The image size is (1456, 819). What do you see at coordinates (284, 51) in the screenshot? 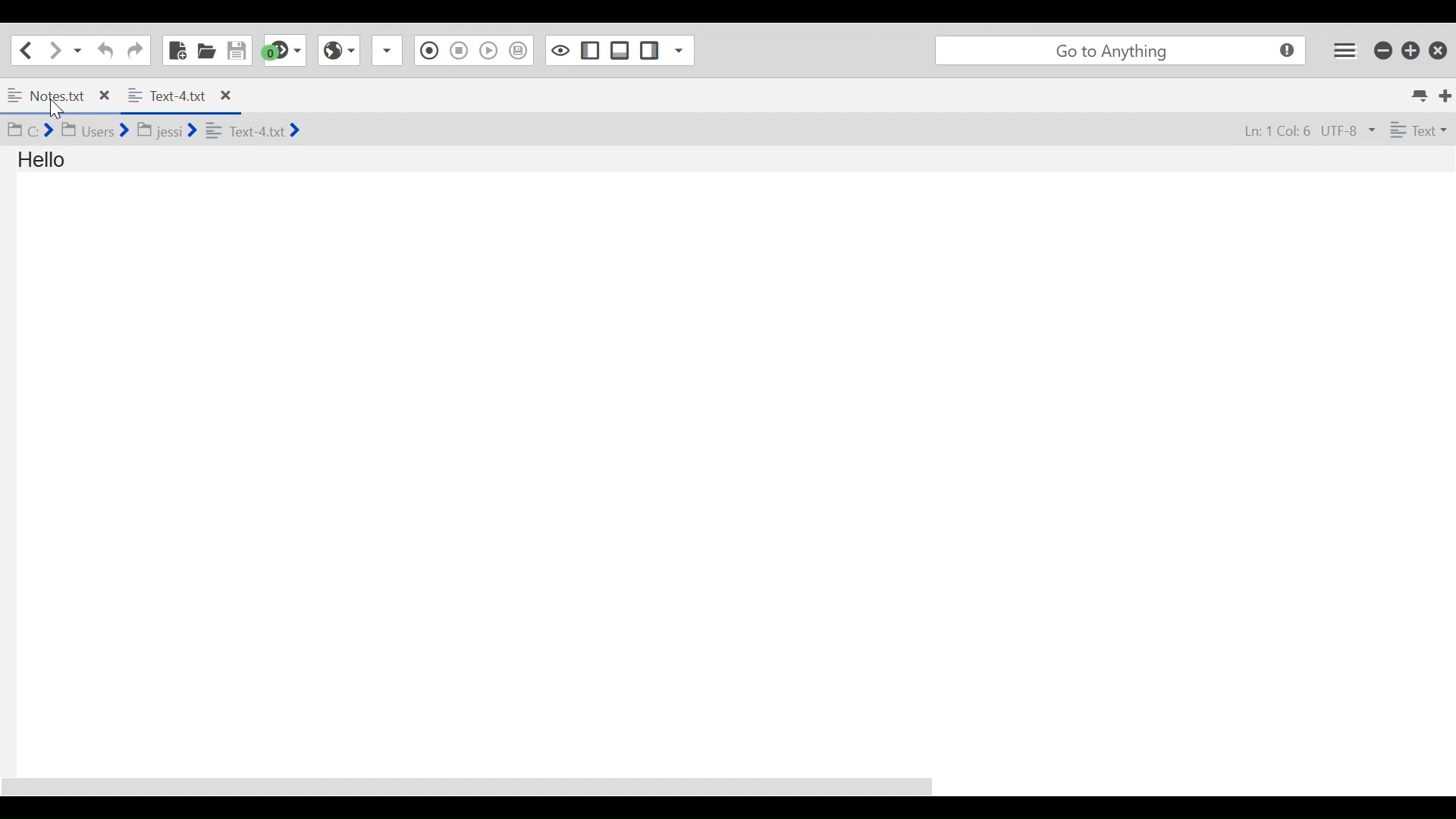
I see `Jump to the next Syntax checking result` at bounding box center [284, 51].